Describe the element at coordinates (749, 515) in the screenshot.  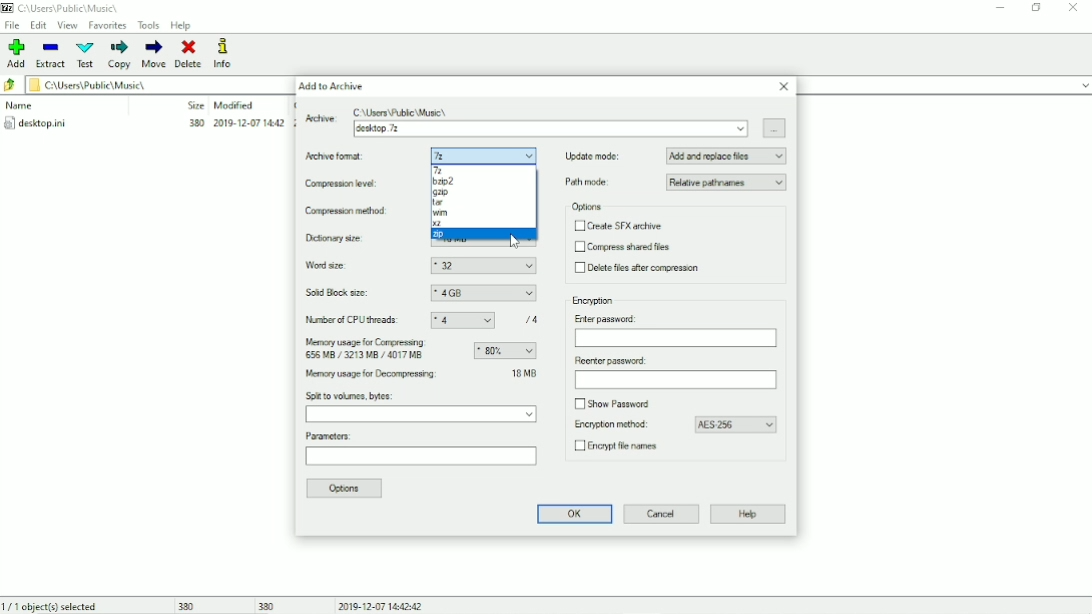
I see `Help` at that location.